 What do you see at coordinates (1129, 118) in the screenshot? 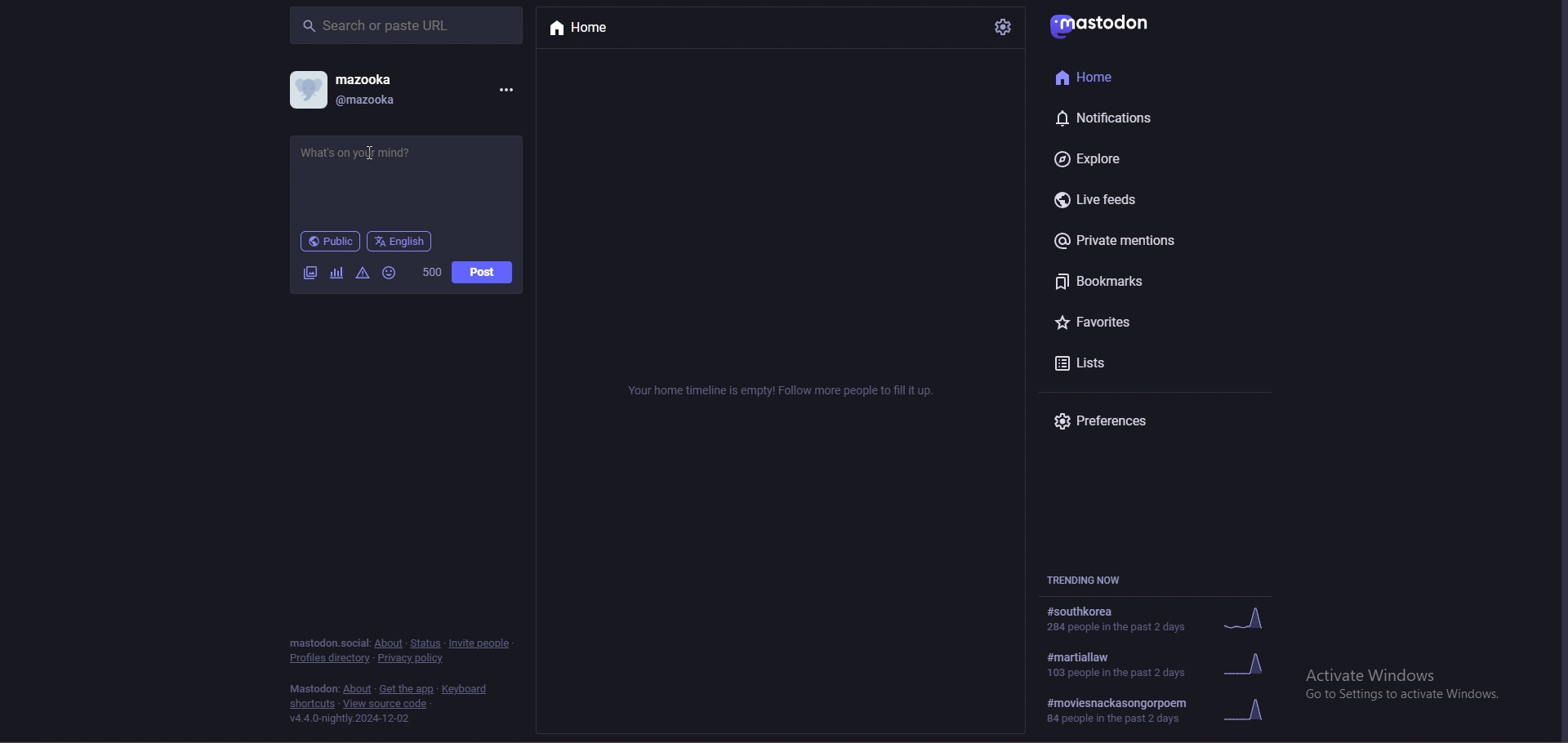
I see `notifications` at bounding box center [1129, 118].